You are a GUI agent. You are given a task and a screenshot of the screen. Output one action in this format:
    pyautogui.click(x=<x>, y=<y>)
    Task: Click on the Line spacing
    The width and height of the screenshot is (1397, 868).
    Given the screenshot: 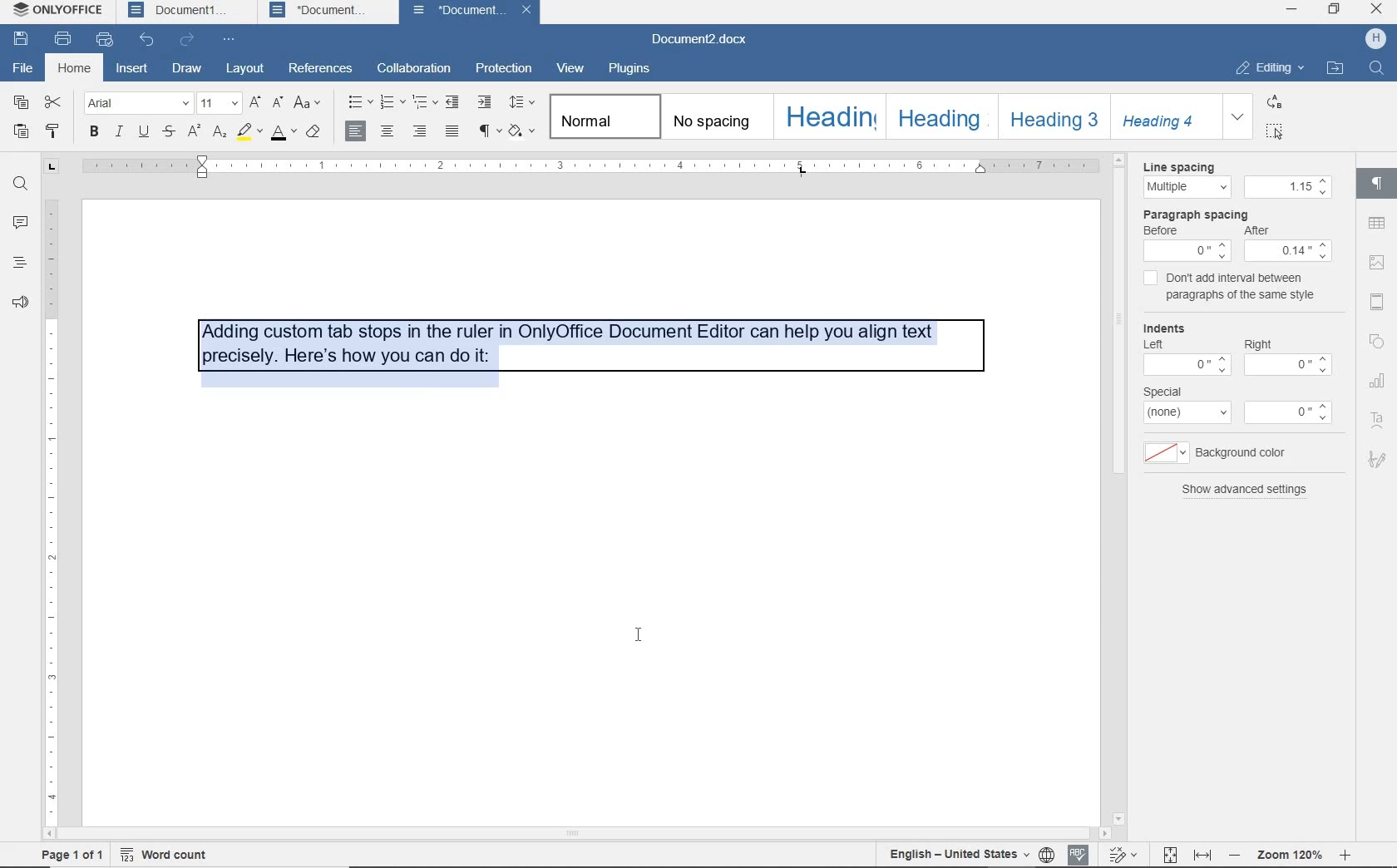 What is the action you would take?
    pyautogui.click(x=1181, y=165)
    